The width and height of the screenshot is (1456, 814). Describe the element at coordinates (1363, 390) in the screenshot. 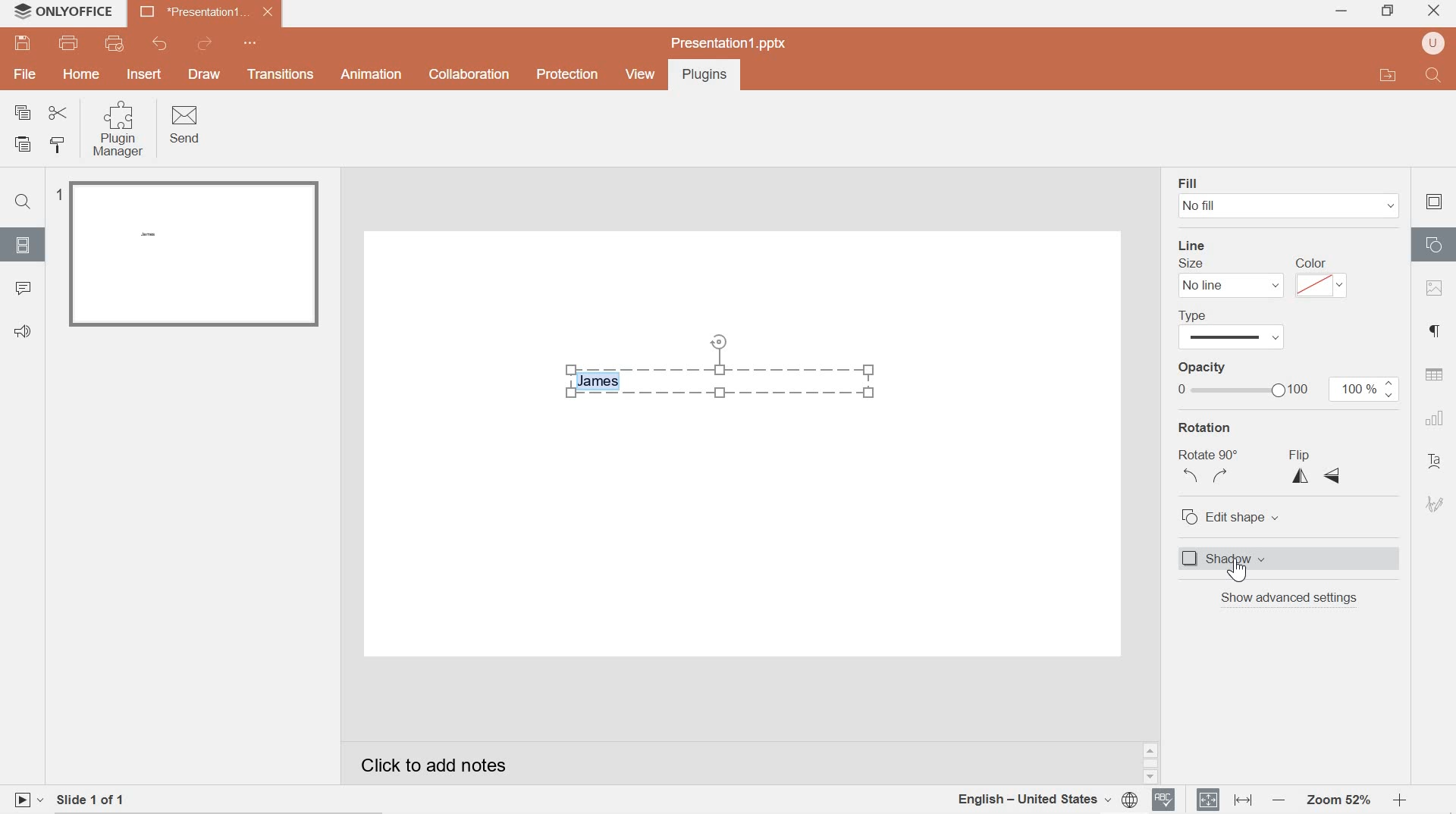

I see `100%` at that location.